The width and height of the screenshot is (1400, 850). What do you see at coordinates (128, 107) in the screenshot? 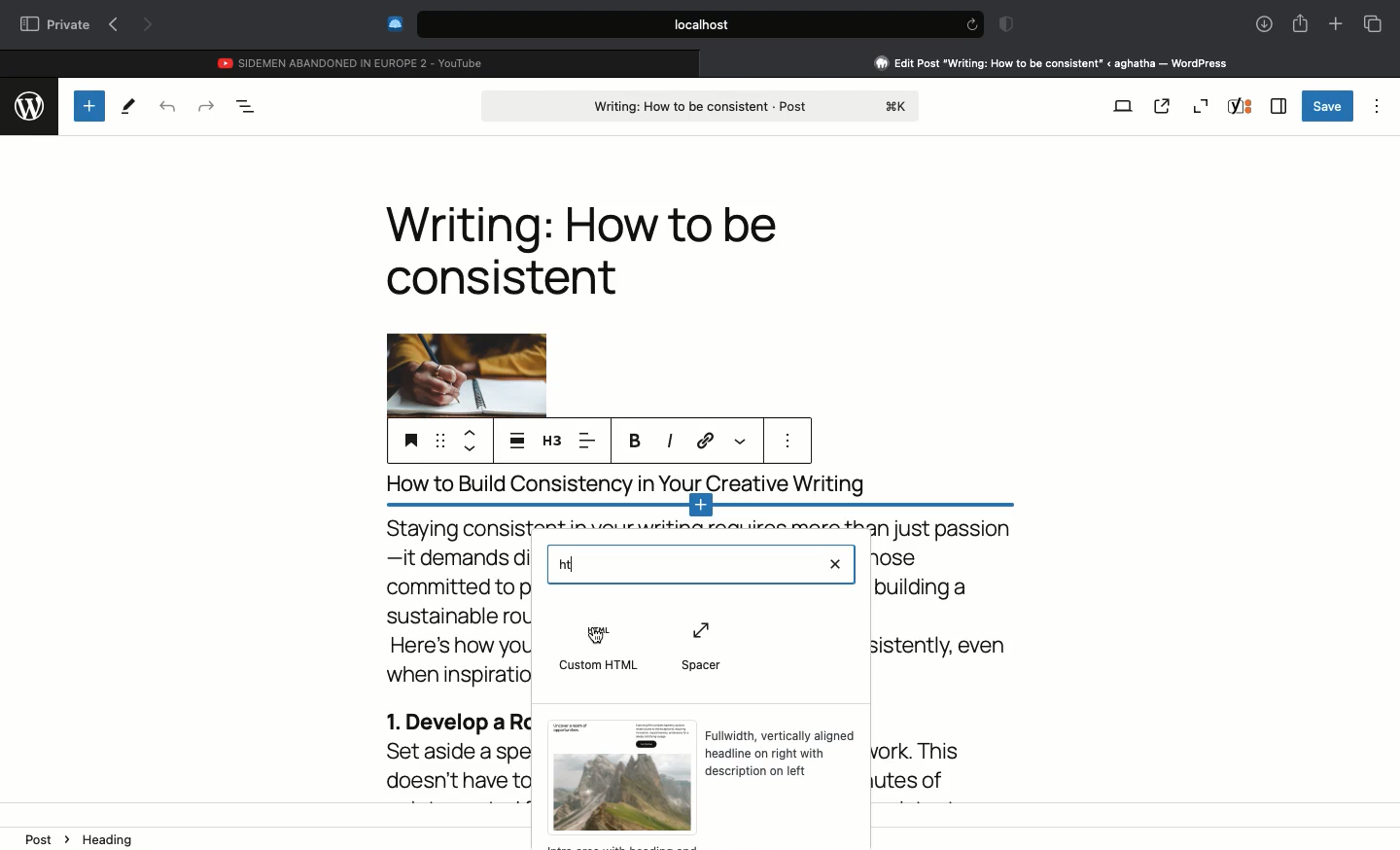
I see `Tools` at bounding box center [128, 107].